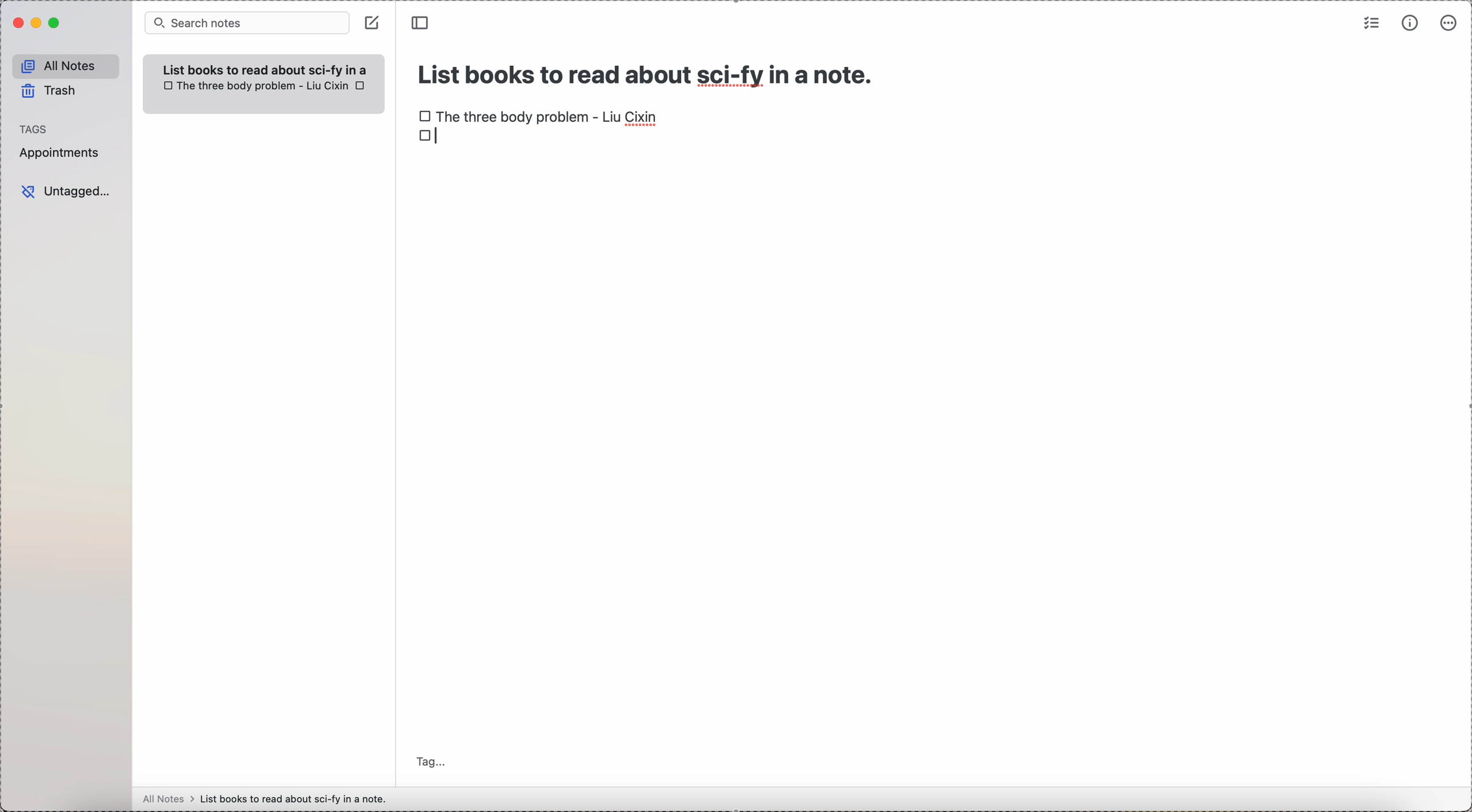 The image size is (1472, 812). What do you see at coordinates (1407, 23) in the screenshot?
I see `metrics` at bounding box center [1407, 23].